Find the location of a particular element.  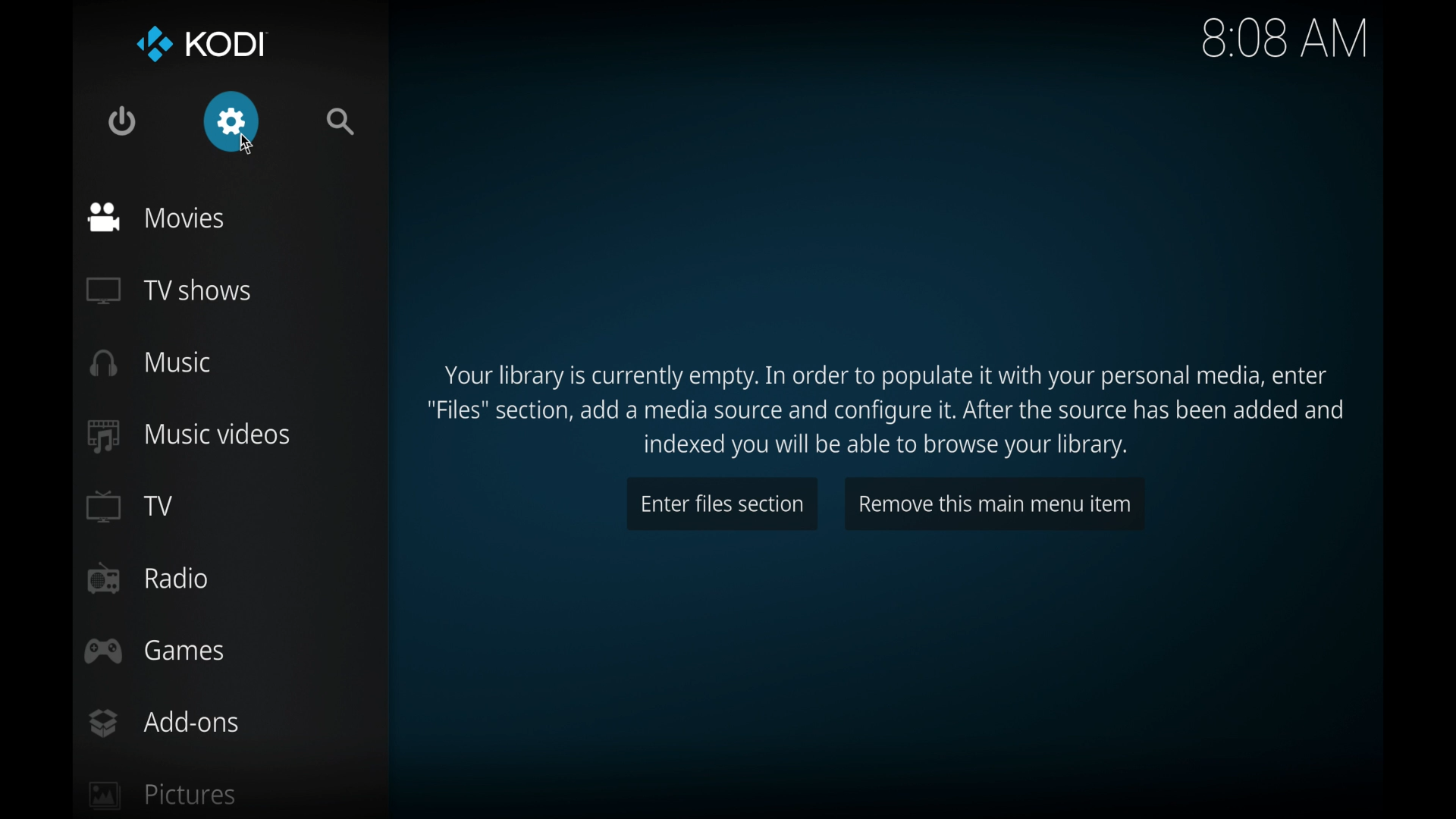

cursor is located at coordinates (246, 143).